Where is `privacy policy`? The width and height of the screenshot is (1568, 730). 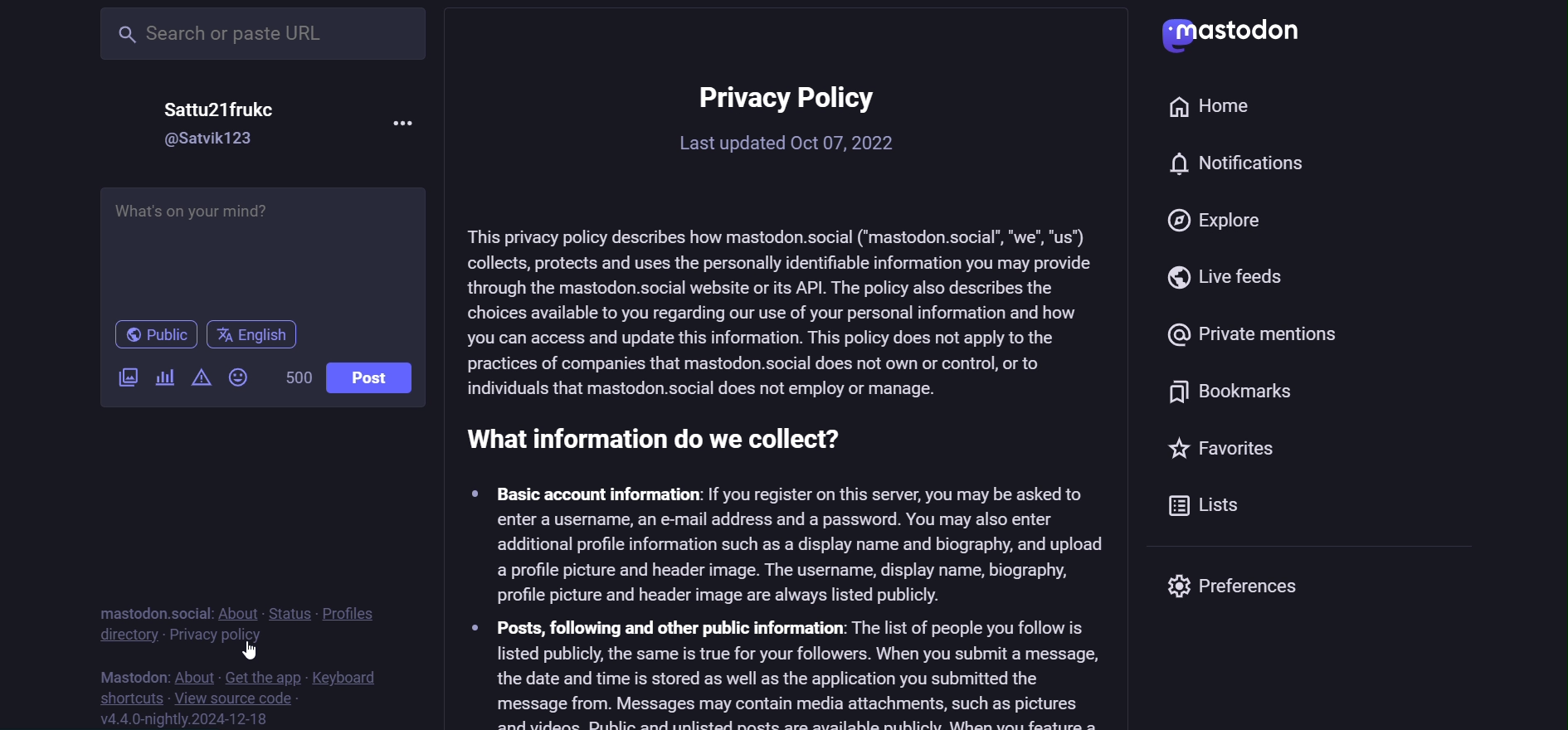
privacy policy is located at coordinates (218, 636).